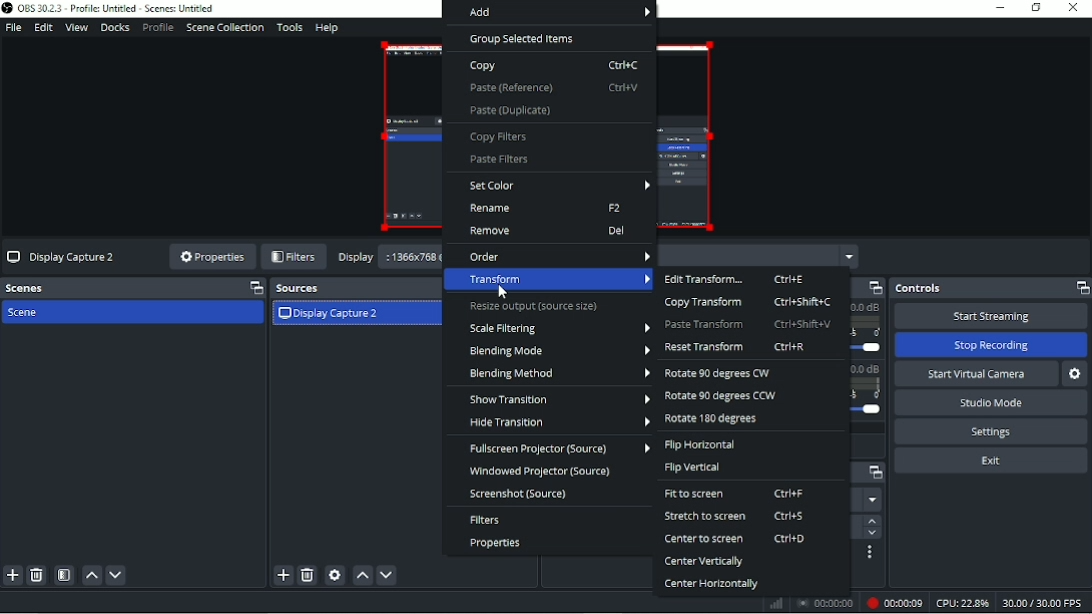  What do you see at coordinates (327, 29) in the screenshot?
I see `Help` at bounding box center [327, 29].